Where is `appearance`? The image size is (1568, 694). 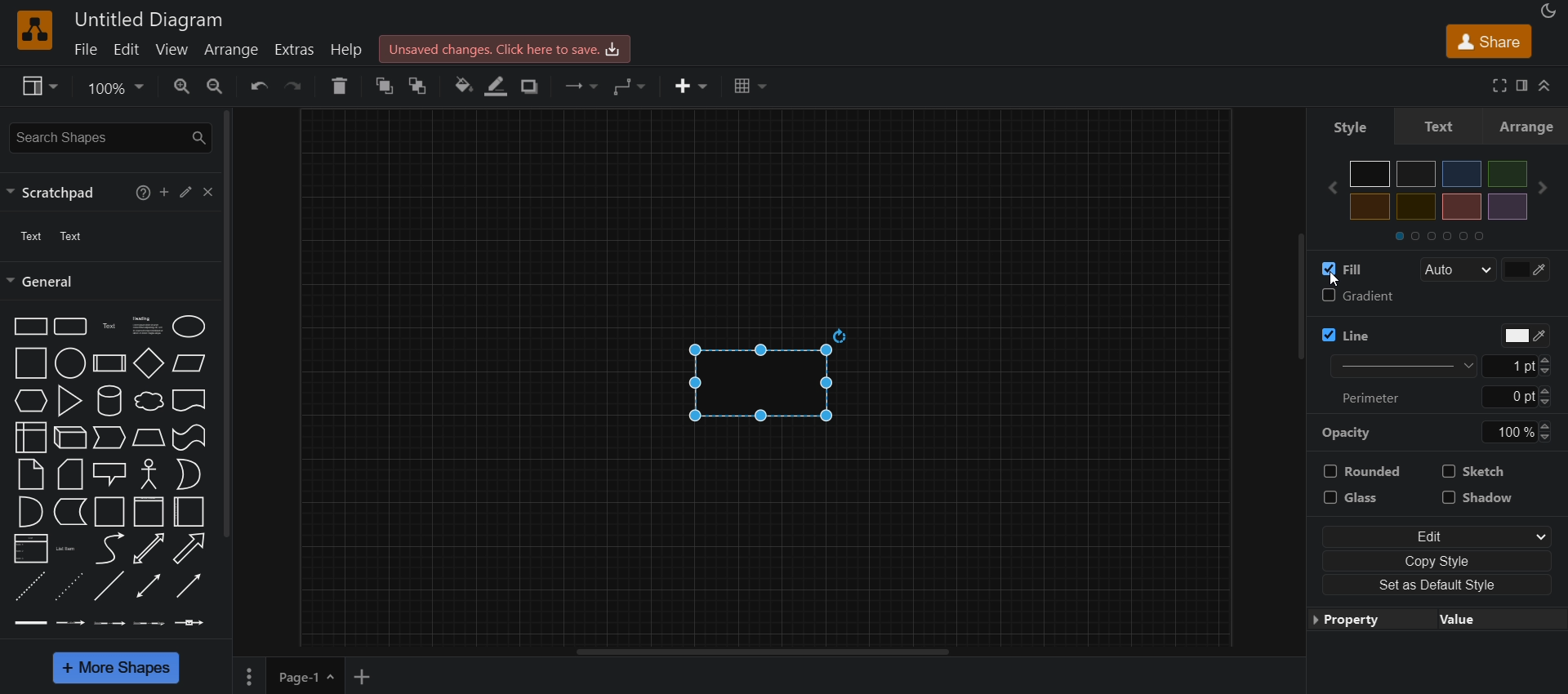
appearance is located at coordinates (1548, 10).